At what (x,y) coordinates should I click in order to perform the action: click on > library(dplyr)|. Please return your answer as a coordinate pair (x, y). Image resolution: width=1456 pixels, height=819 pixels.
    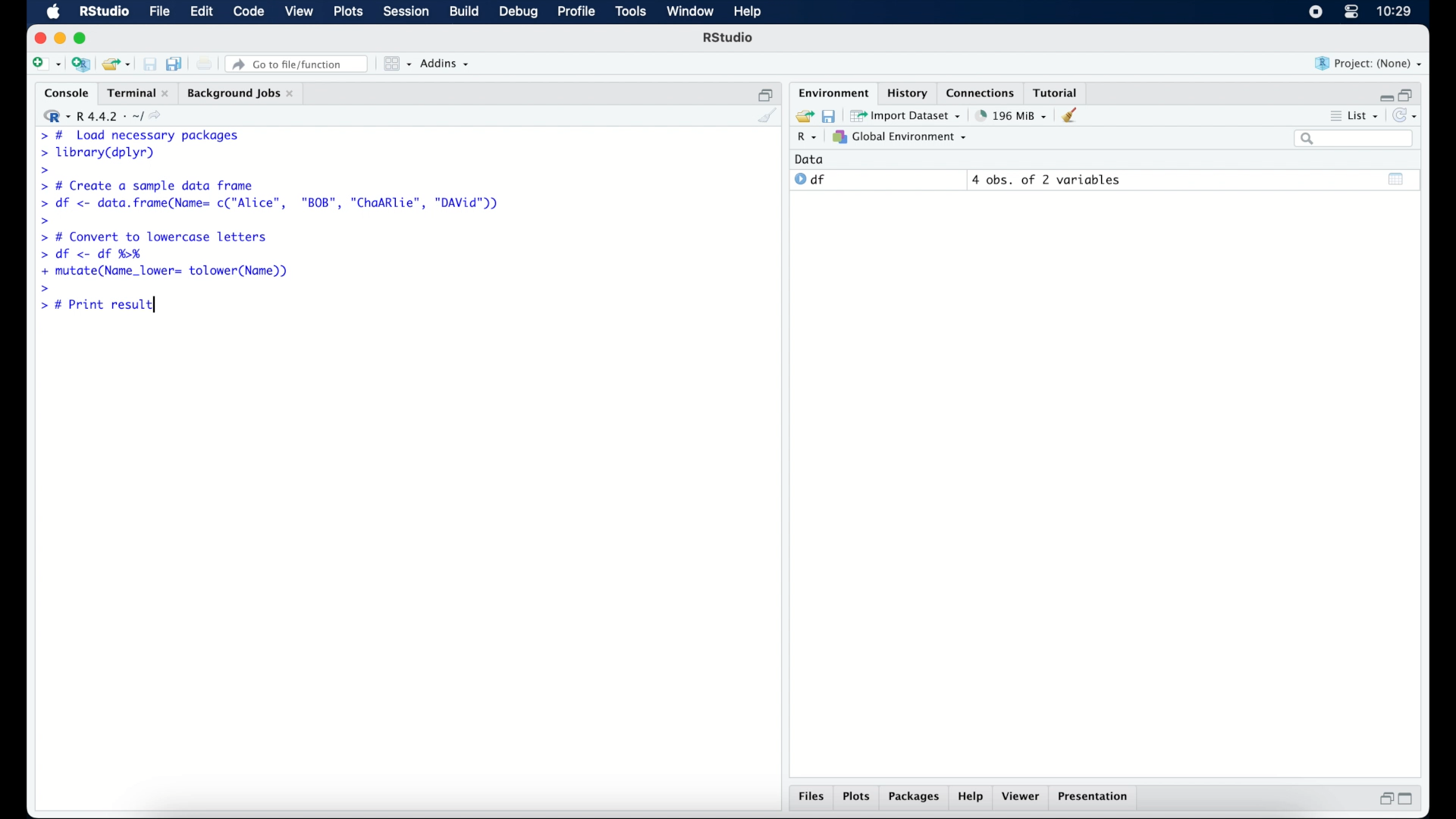
    Looking at the image, I should click on (101, 153).